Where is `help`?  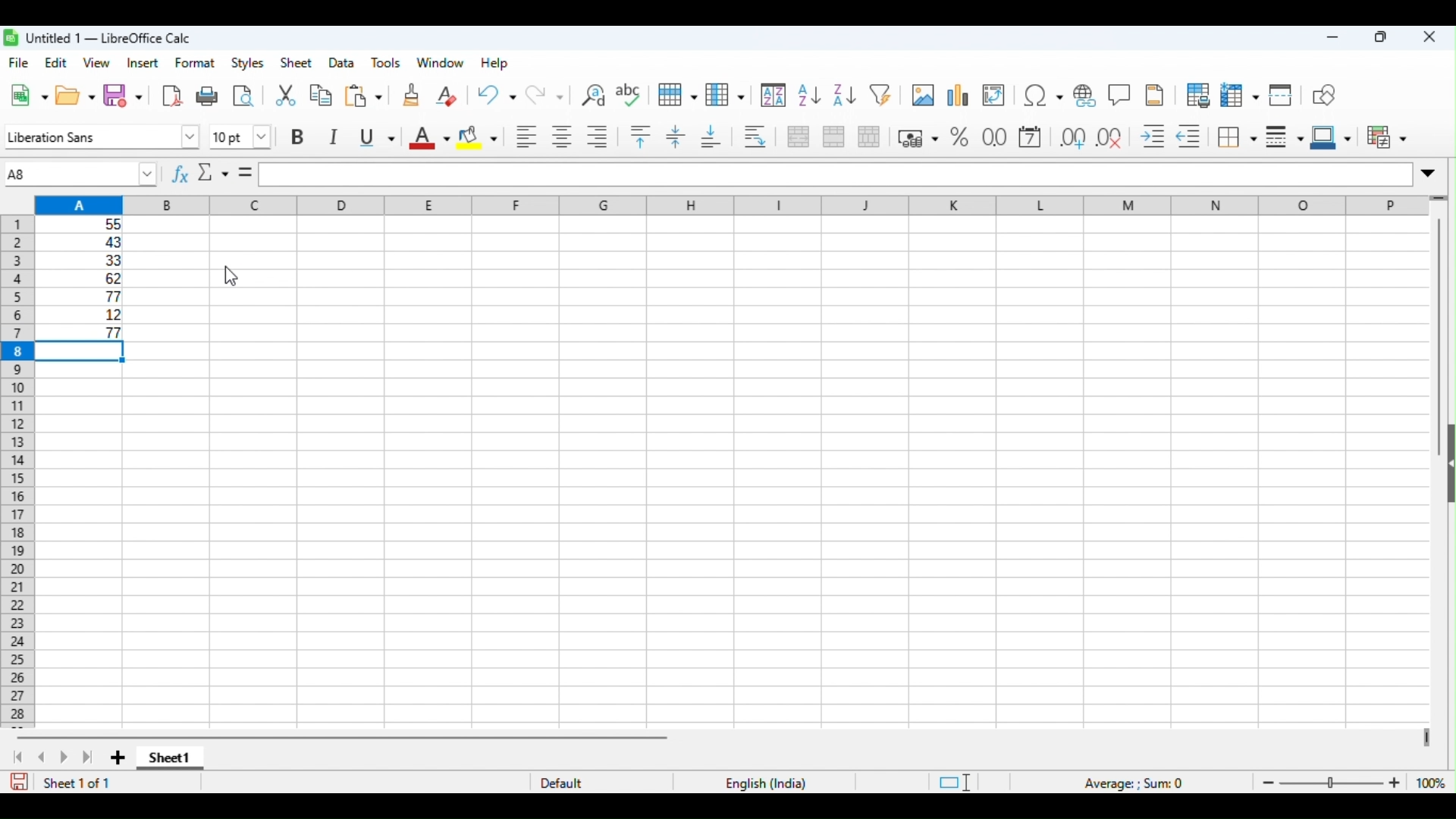 help is located at coordinates (495, 63).